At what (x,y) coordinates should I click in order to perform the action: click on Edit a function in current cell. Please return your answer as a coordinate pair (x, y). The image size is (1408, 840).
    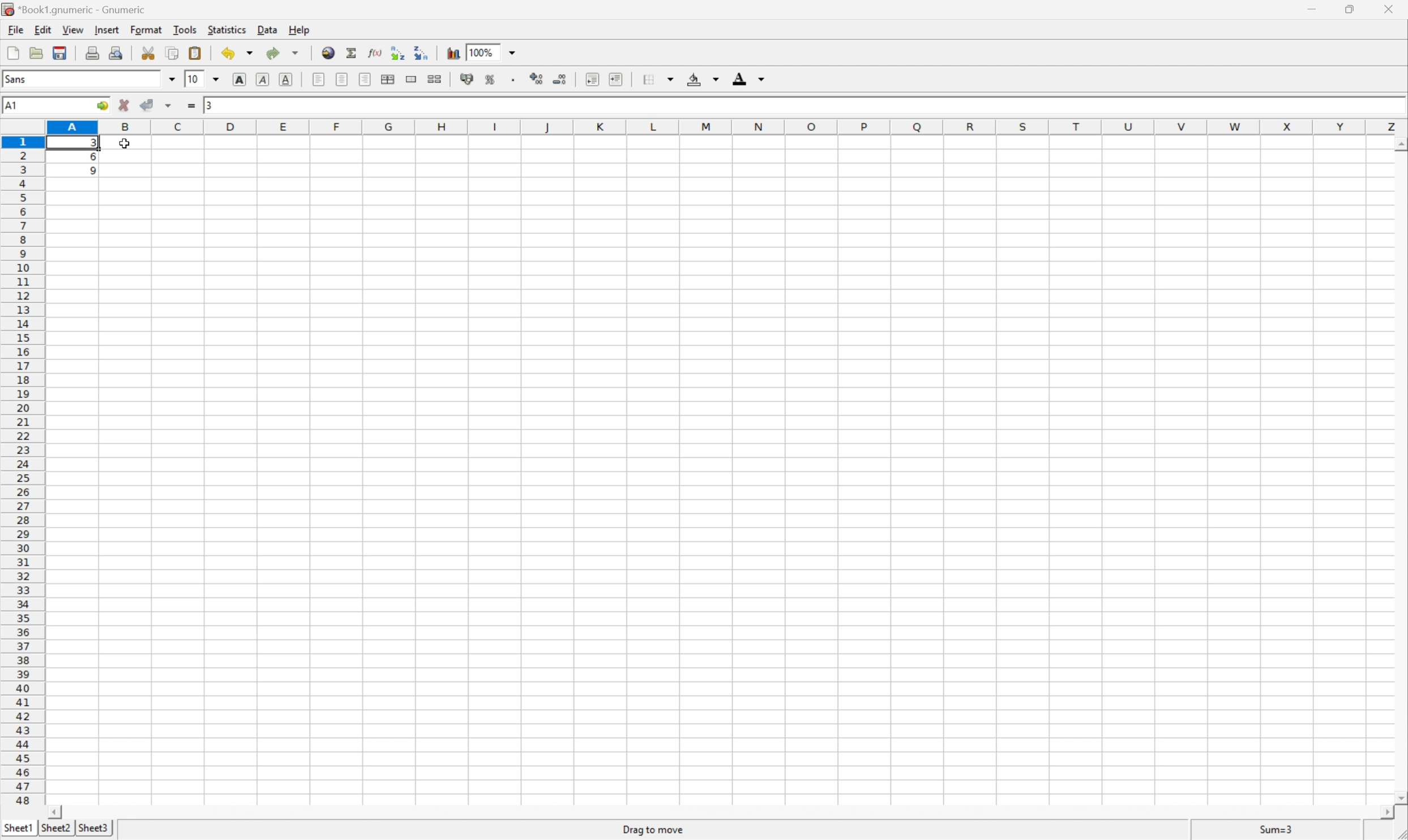
    Looking at the image, I should click on (374, 52).